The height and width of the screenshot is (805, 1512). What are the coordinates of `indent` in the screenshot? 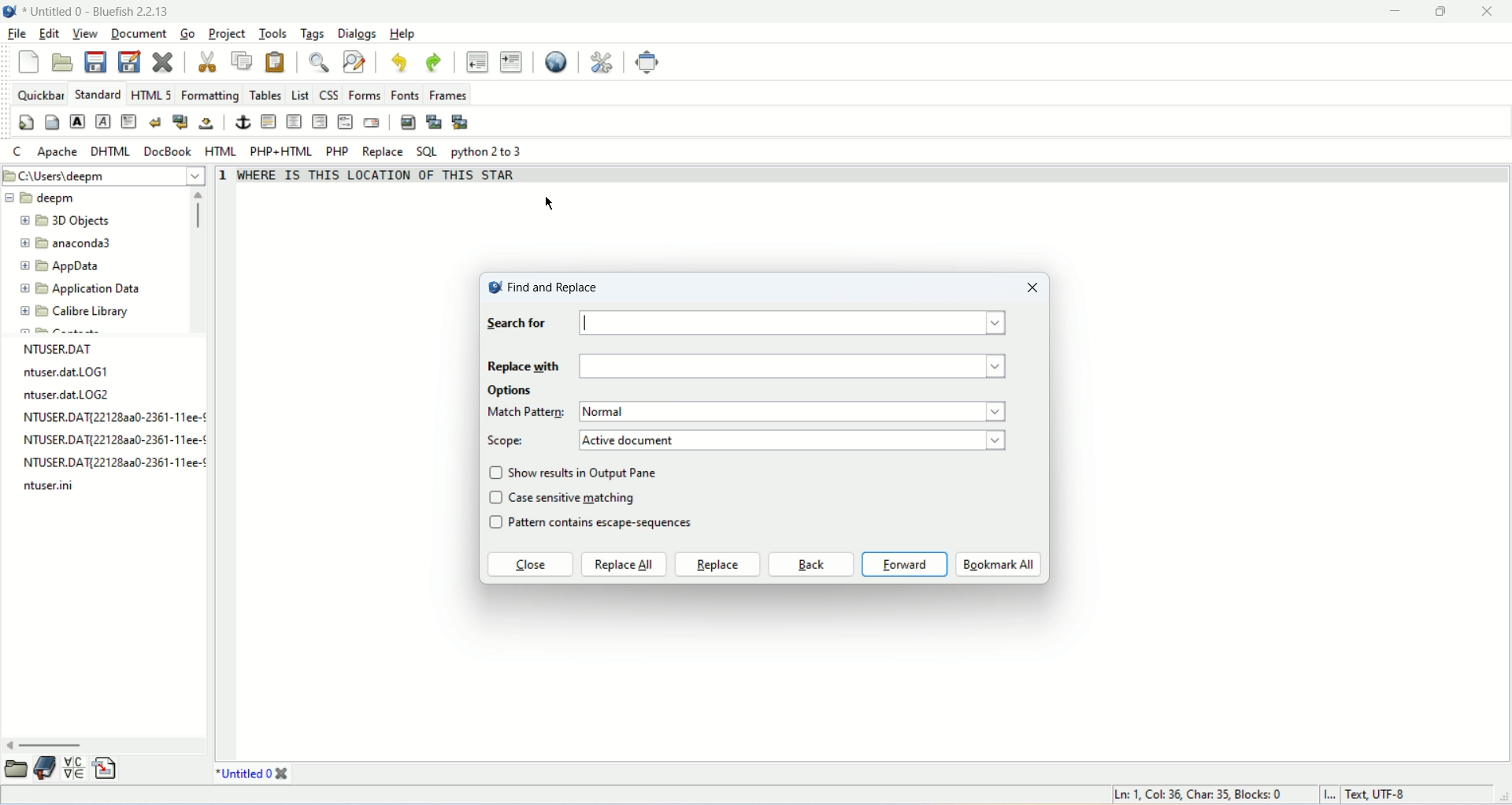 It's located at (510, 61).